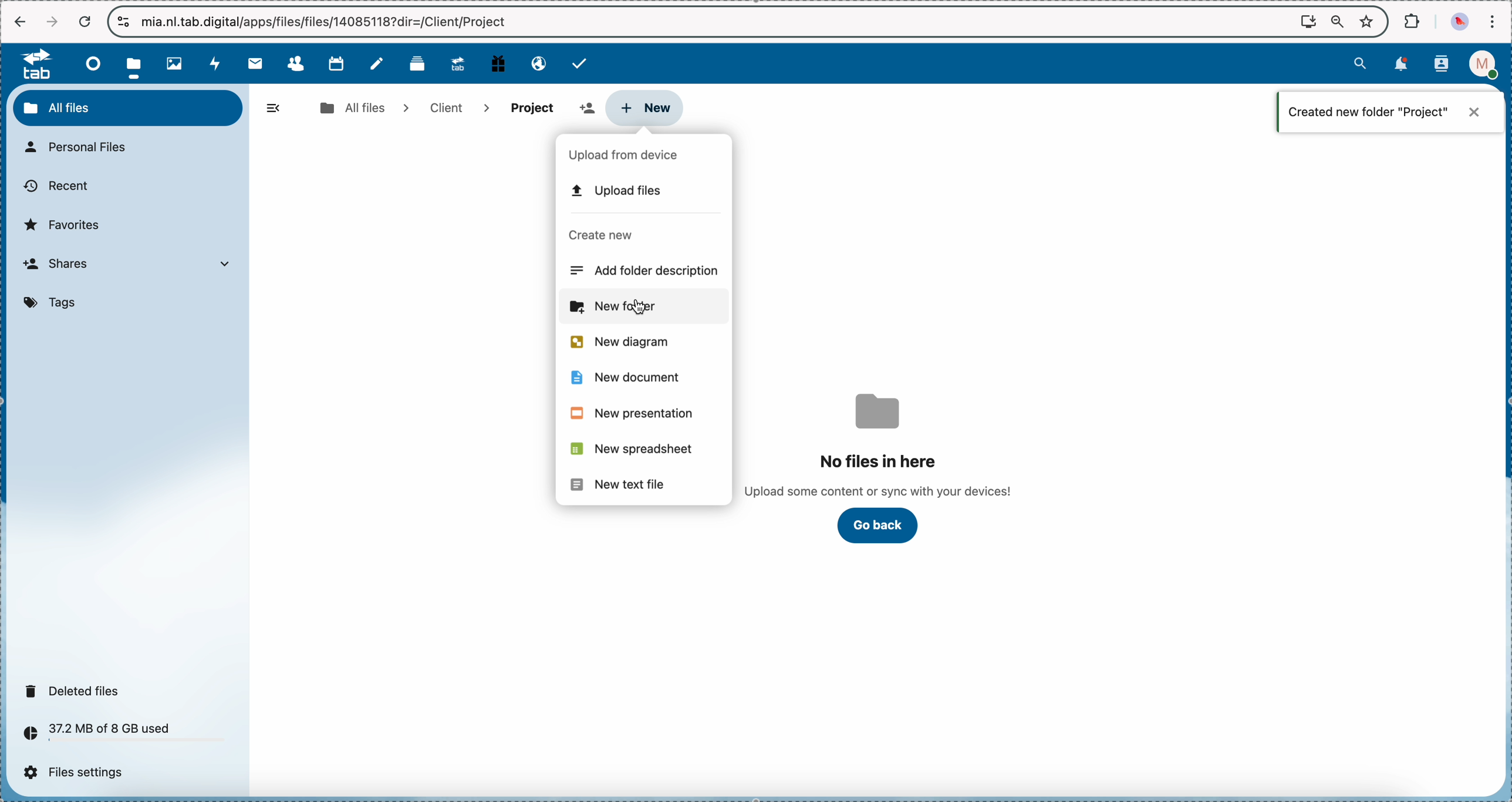  I want to click on new, so click(646, 106).